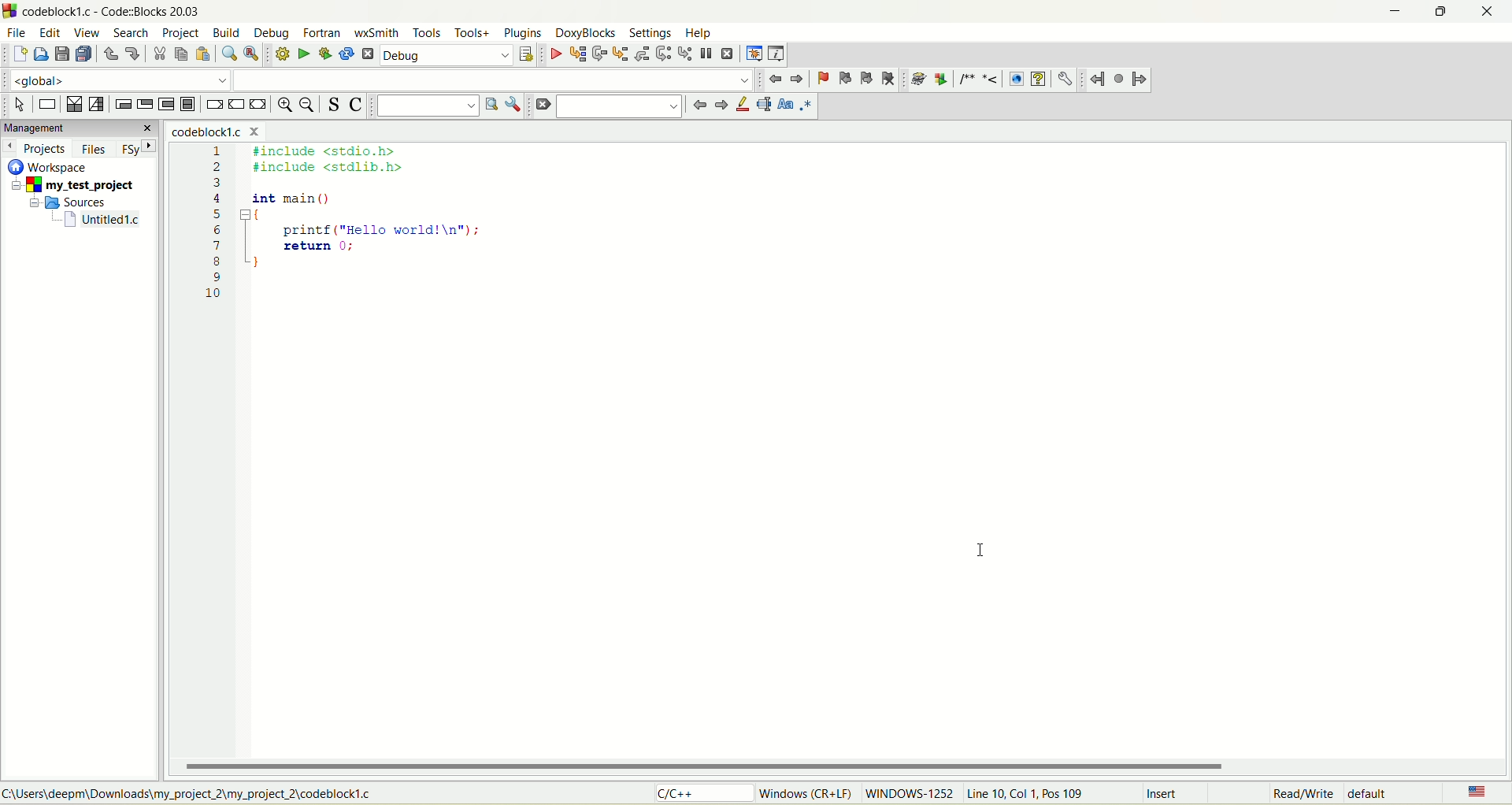 Image resolution: width=1512 pixels, height=805 pixels. Describe the element at coordinates (916, 80) in the screenshot. I see `doxywizard` at that location.